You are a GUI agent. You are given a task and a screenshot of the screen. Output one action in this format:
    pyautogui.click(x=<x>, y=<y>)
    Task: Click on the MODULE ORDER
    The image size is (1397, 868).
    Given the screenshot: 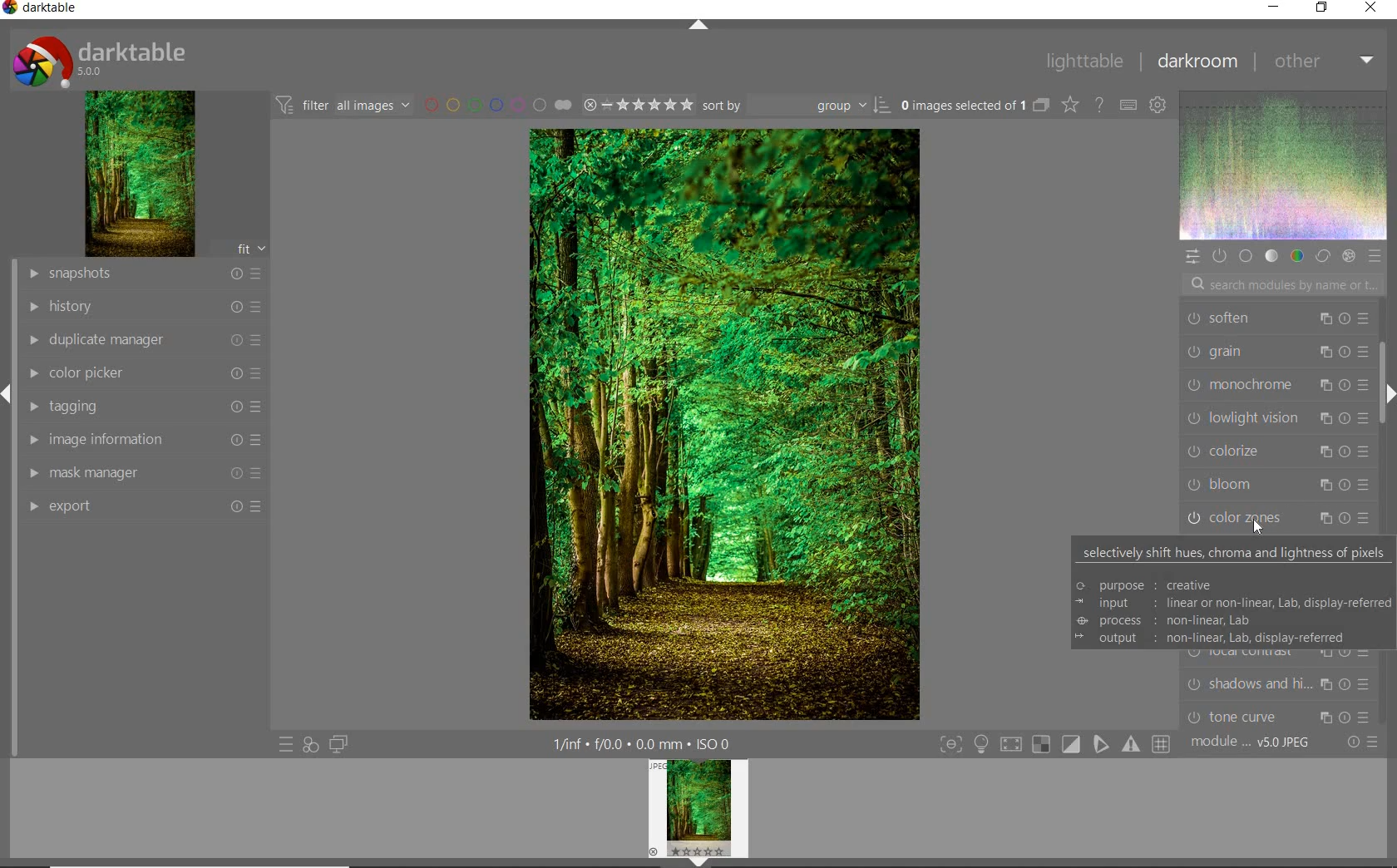 What is the action you would take?
    pyautogui.click(x=1252, y=742)
    